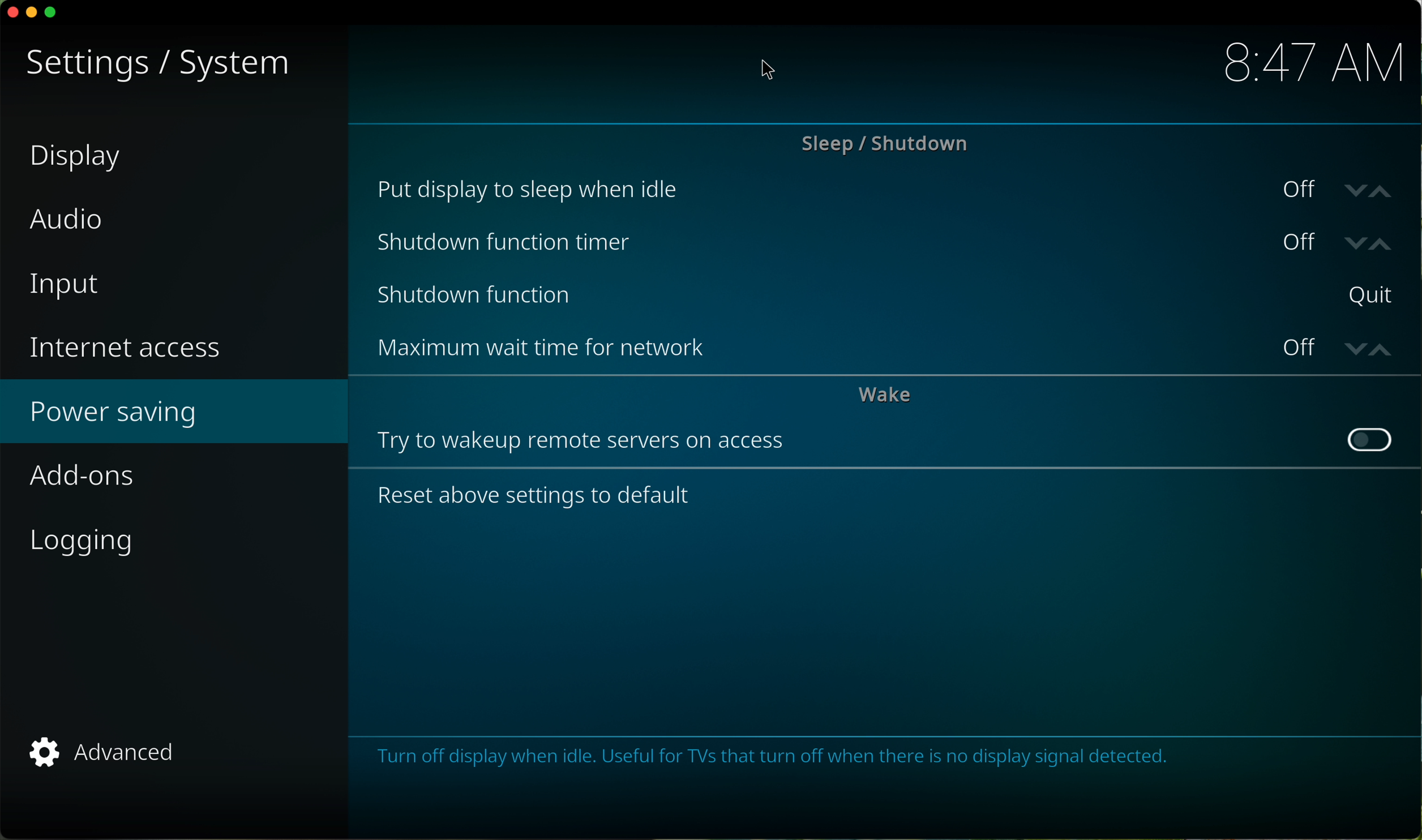  I want to click on audio, so click(66, 220).